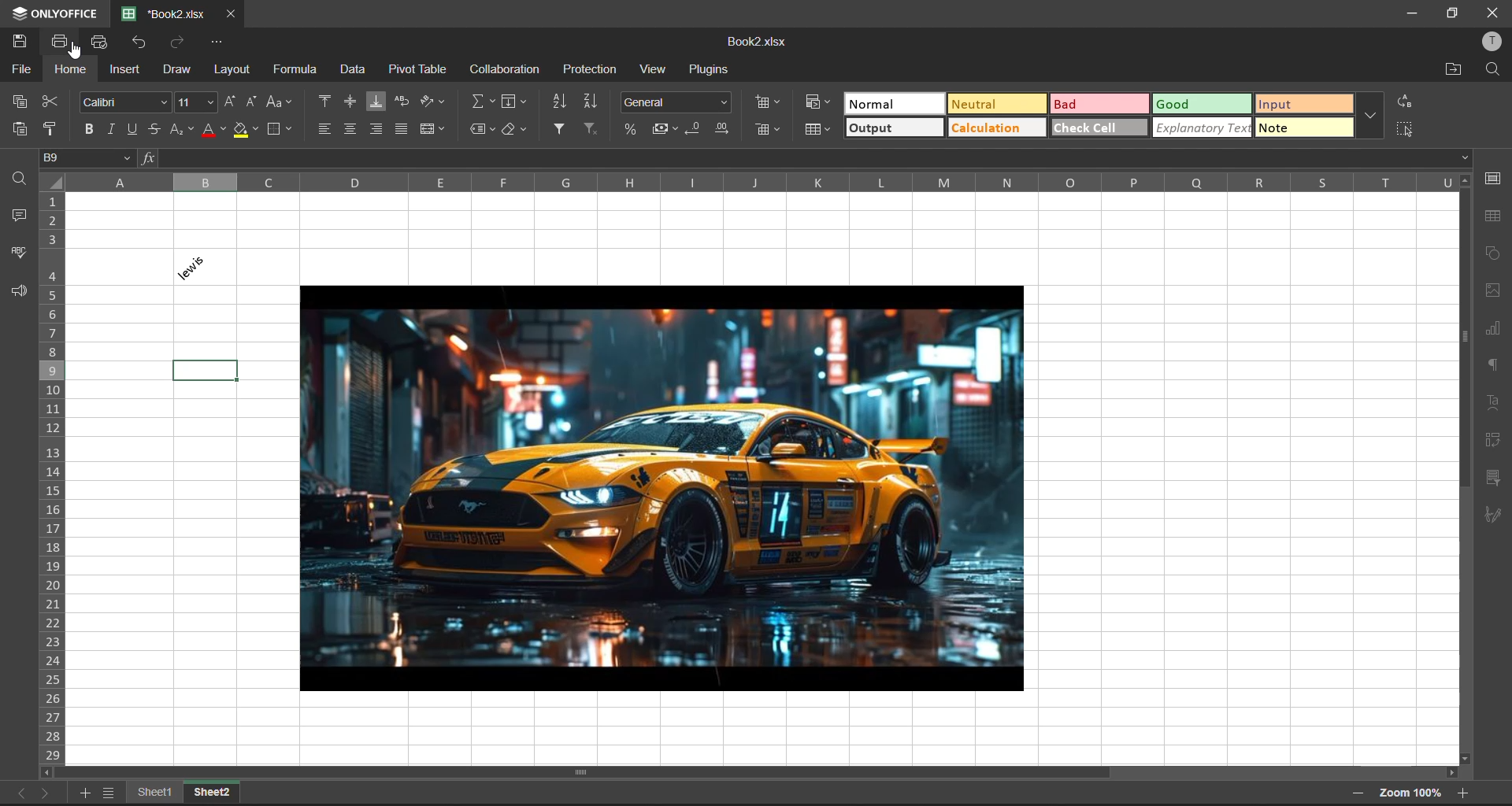  Describe the element at coordinates (518, 131) in the screenshot. I see `clear` at that location.